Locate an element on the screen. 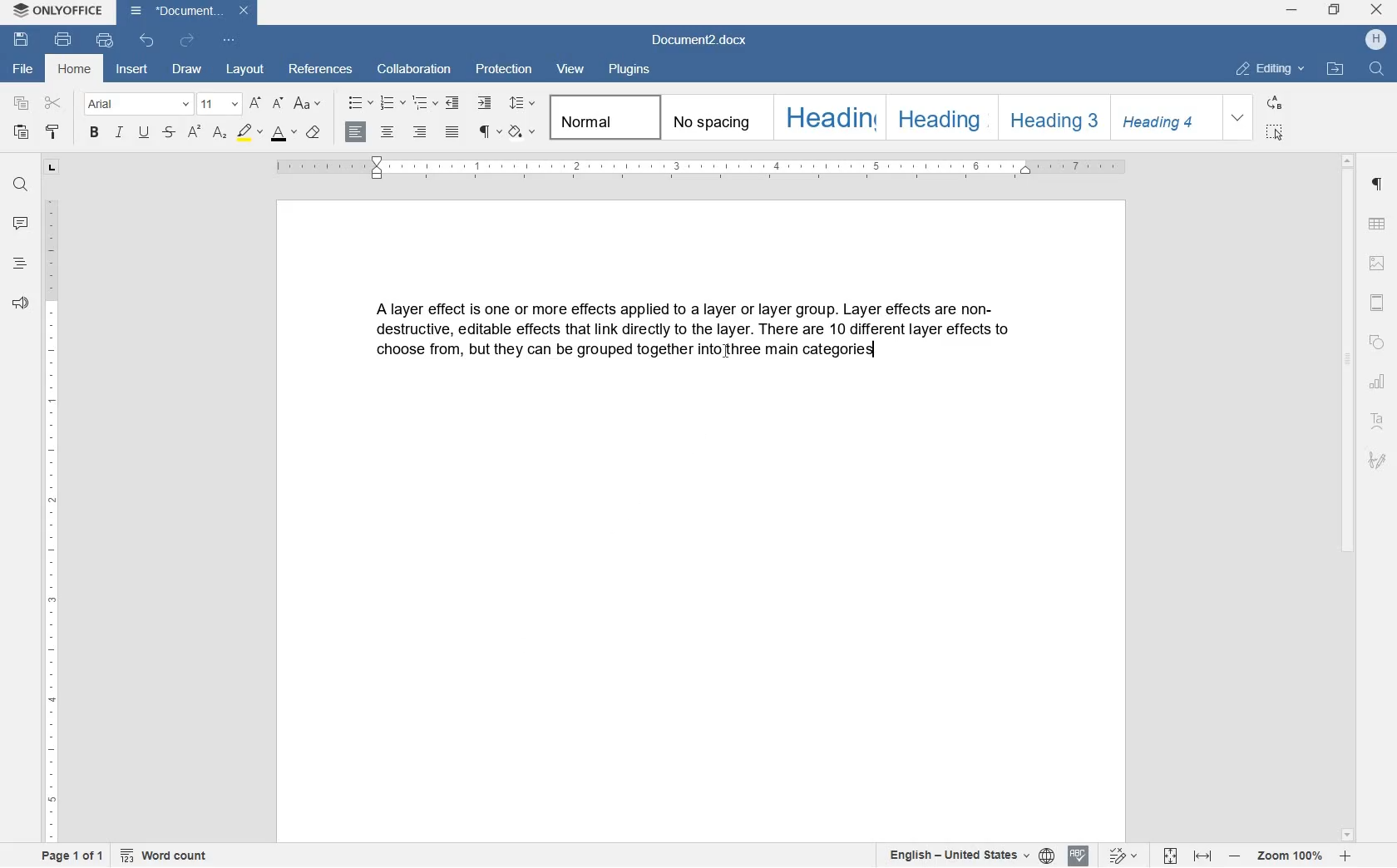 This screenshot has width=1397, height=868. justified is located at coordinates (452, 132).